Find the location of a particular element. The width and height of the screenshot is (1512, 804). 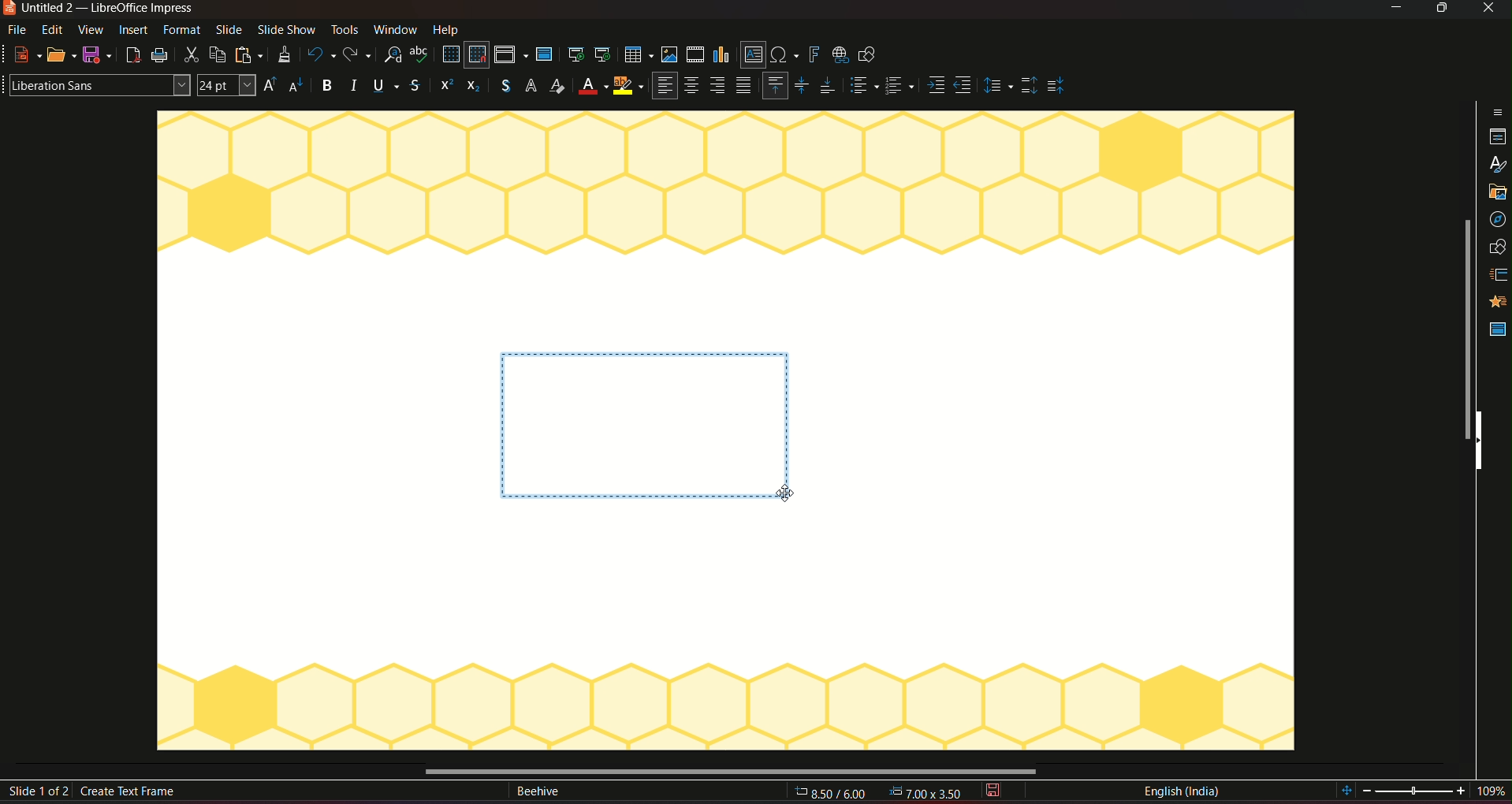

edit zoom is located at coordinates (1416, 791).